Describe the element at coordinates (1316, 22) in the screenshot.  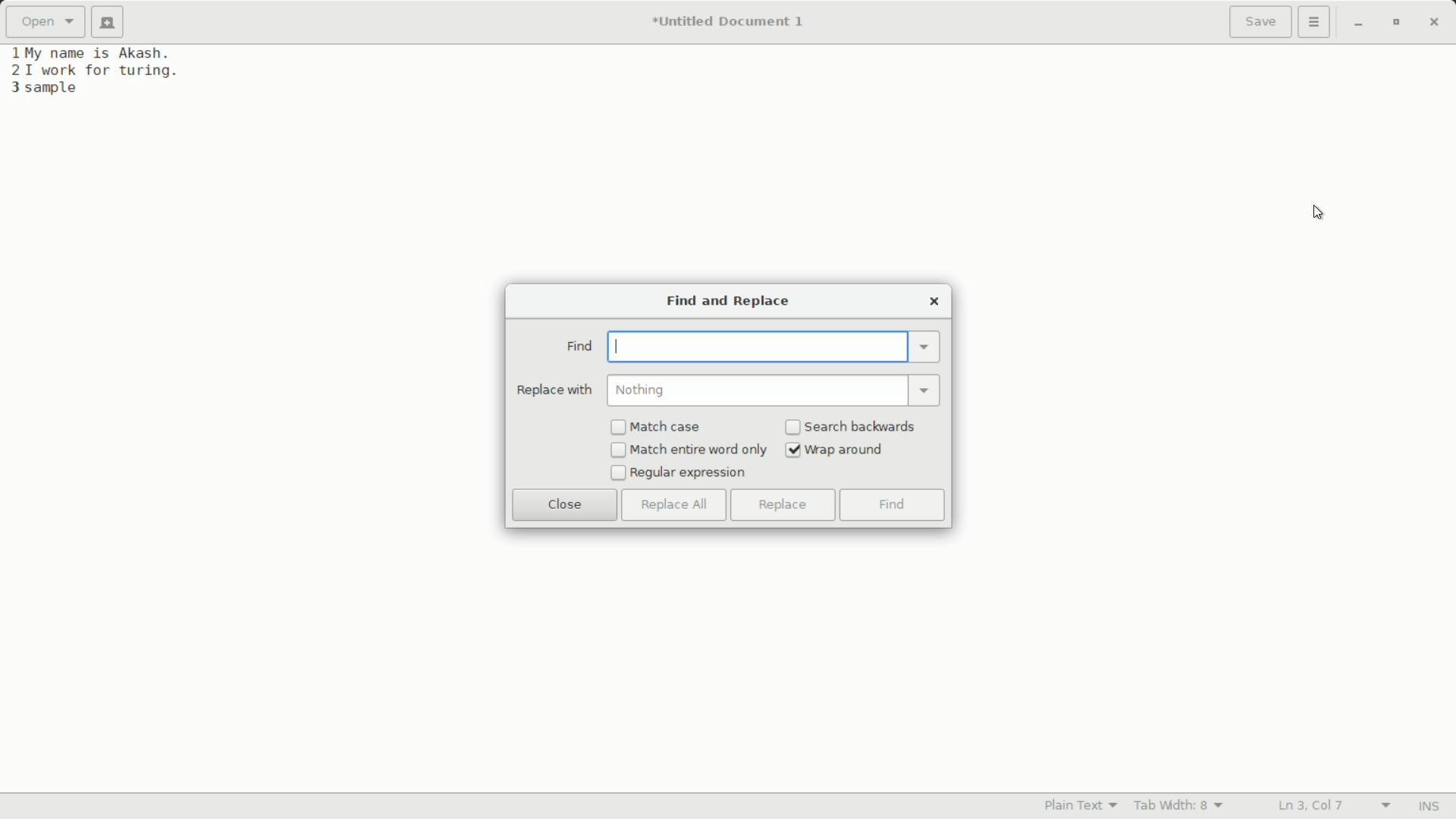
I see `more options` at that location.